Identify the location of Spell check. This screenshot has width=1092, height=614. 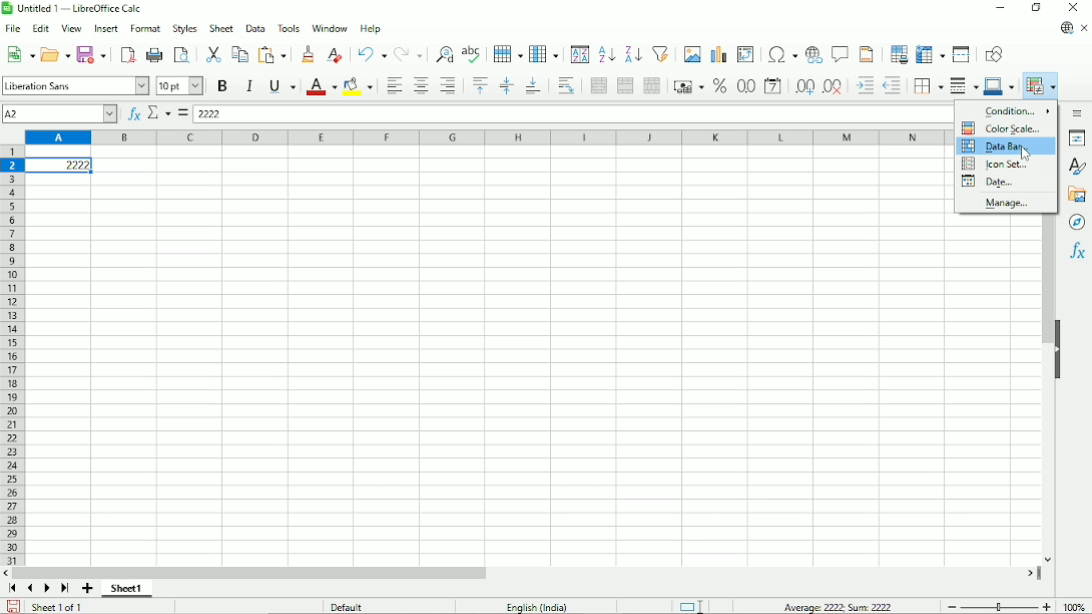
(473, 53).